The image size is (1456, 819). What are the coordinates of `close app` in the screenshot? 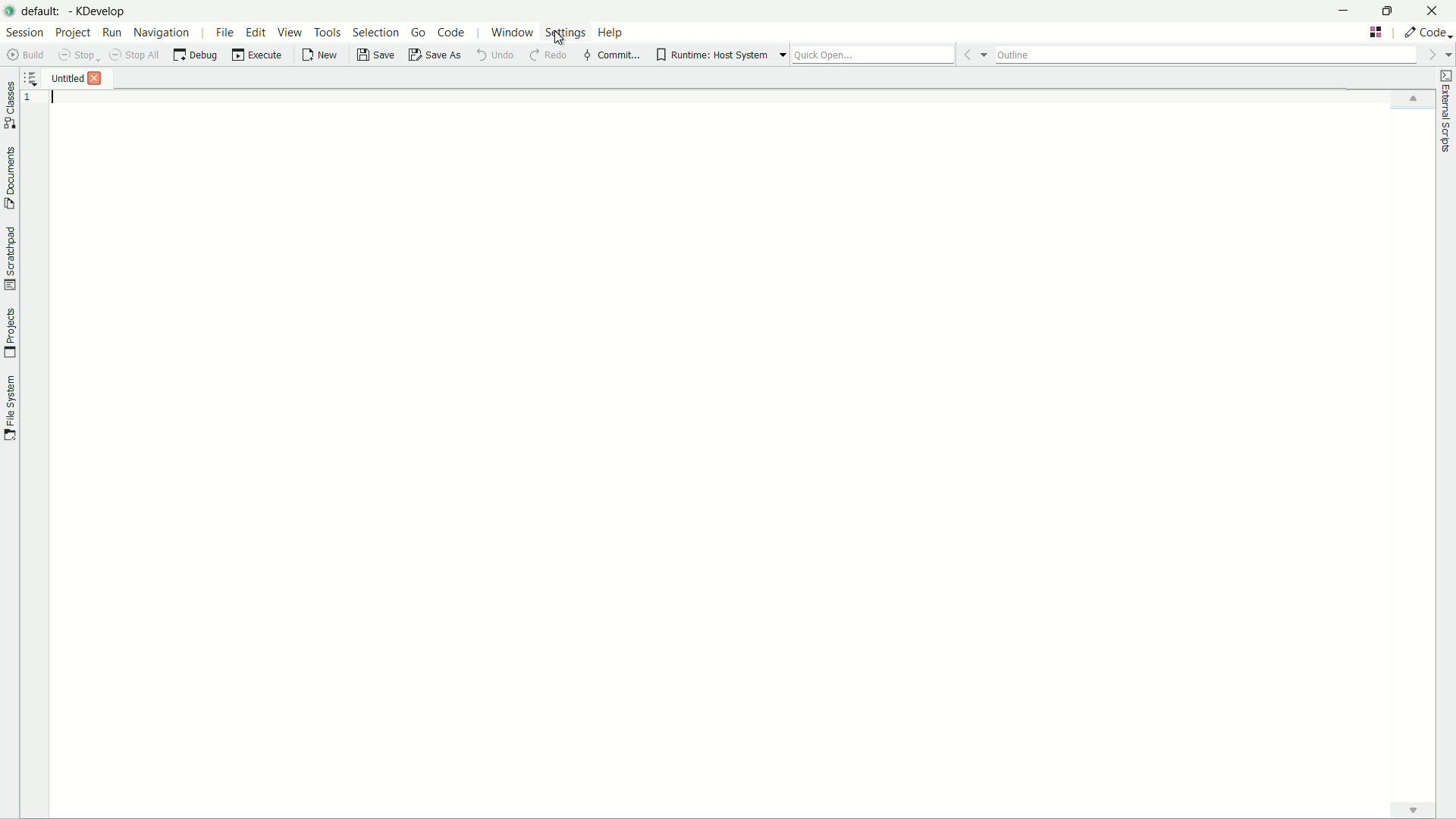 It's located at (1432, 11).